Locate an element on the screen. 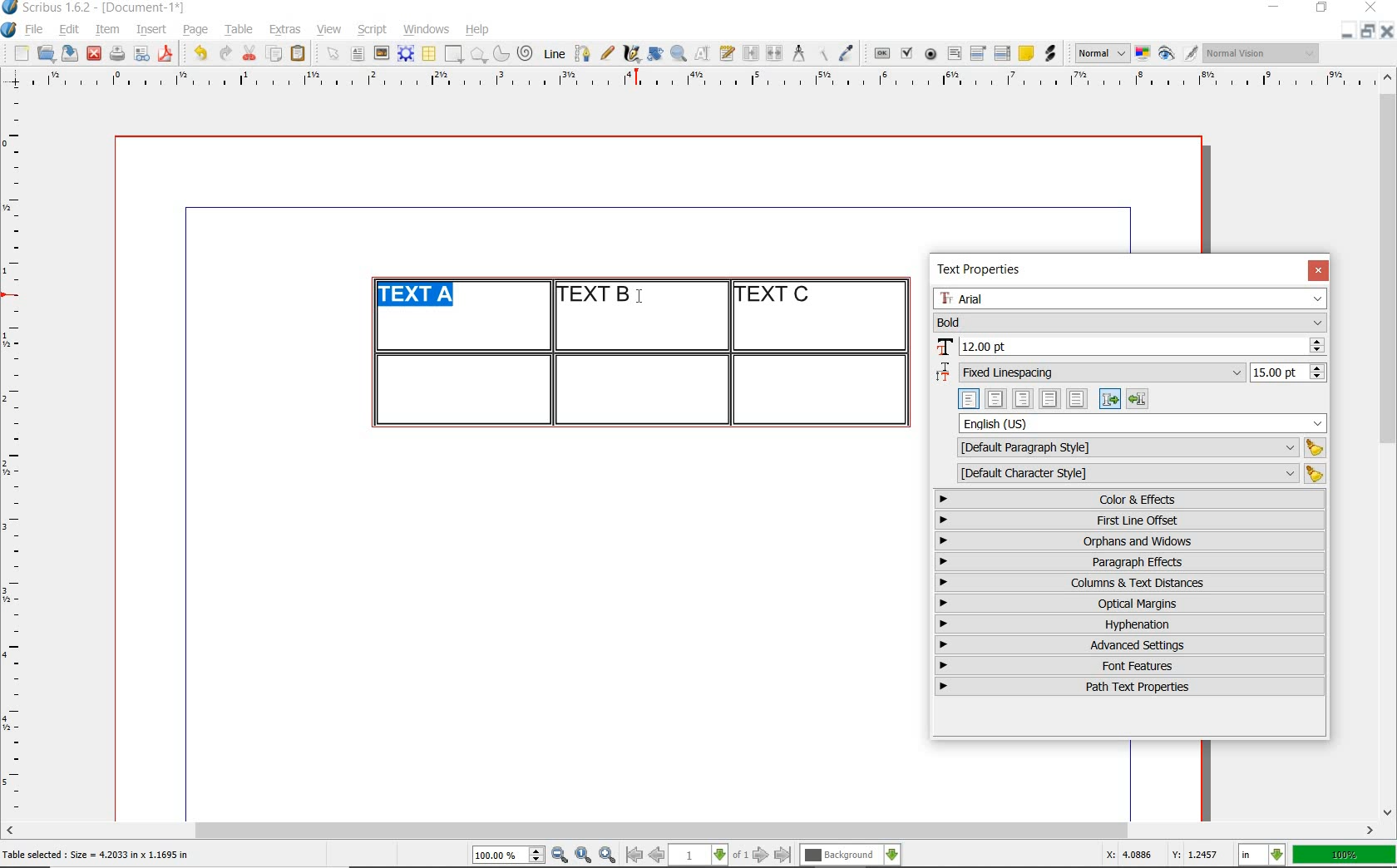 The width and height of the screenshot is (1397, 868). table is located at coordinates (430, 54).